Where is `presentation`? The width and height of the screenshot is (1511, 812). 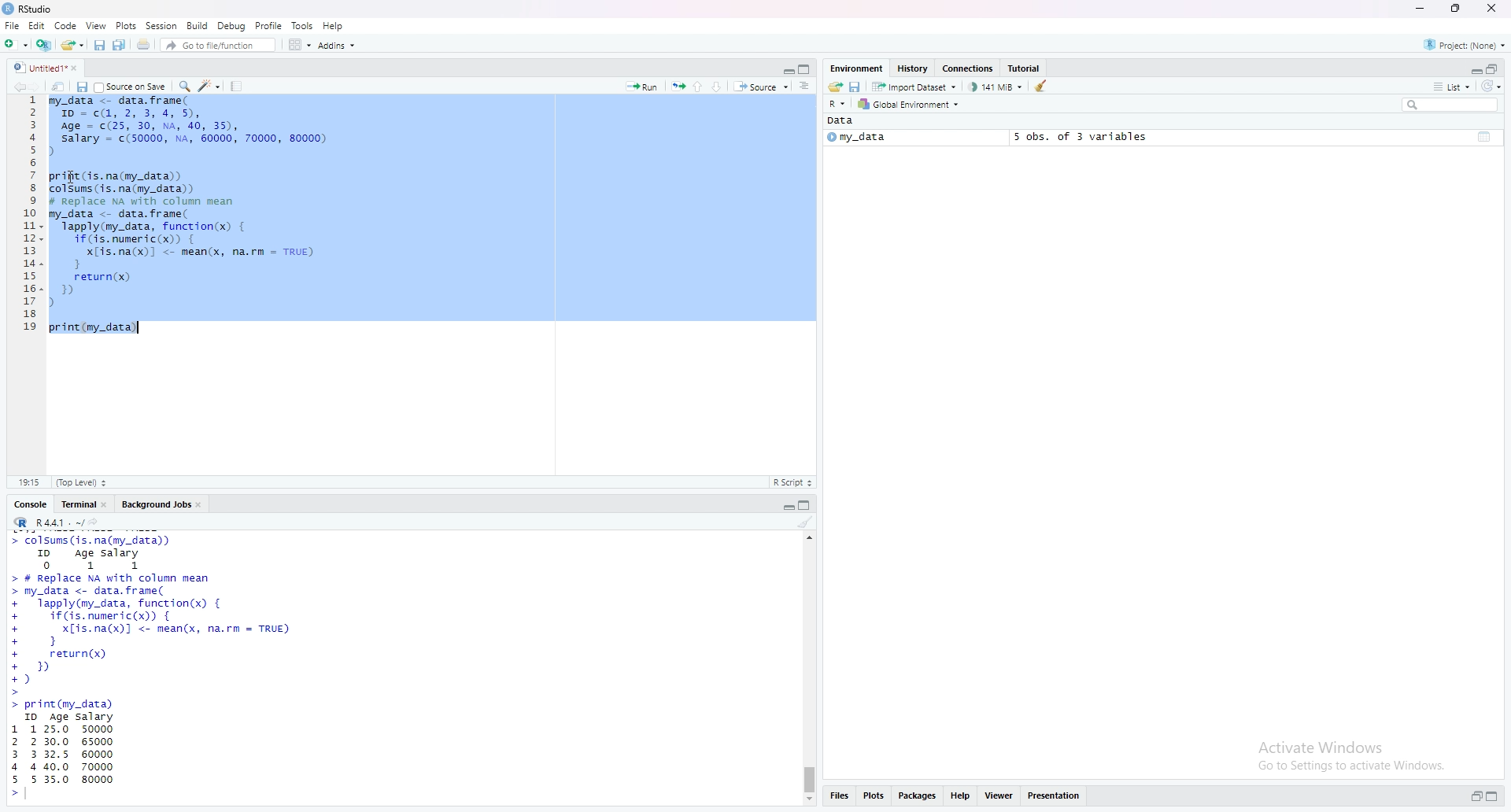 presentation is located at coordinates (1059, 795).